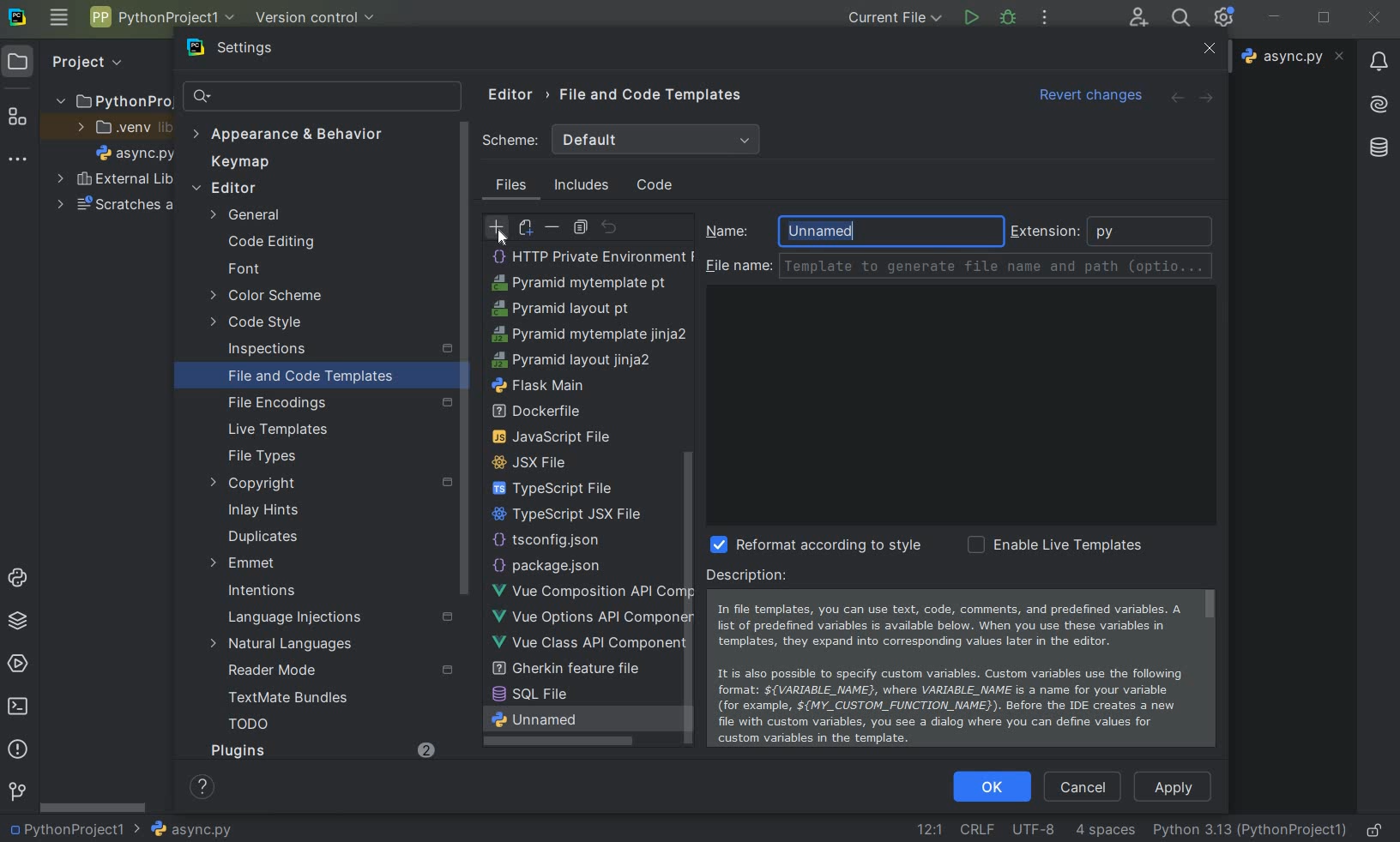 This screenshot has height=842, width=1400. What do you see at coordinates (18, 120) in the screenshot?
I see `structure` at bounding box center [18, 120].